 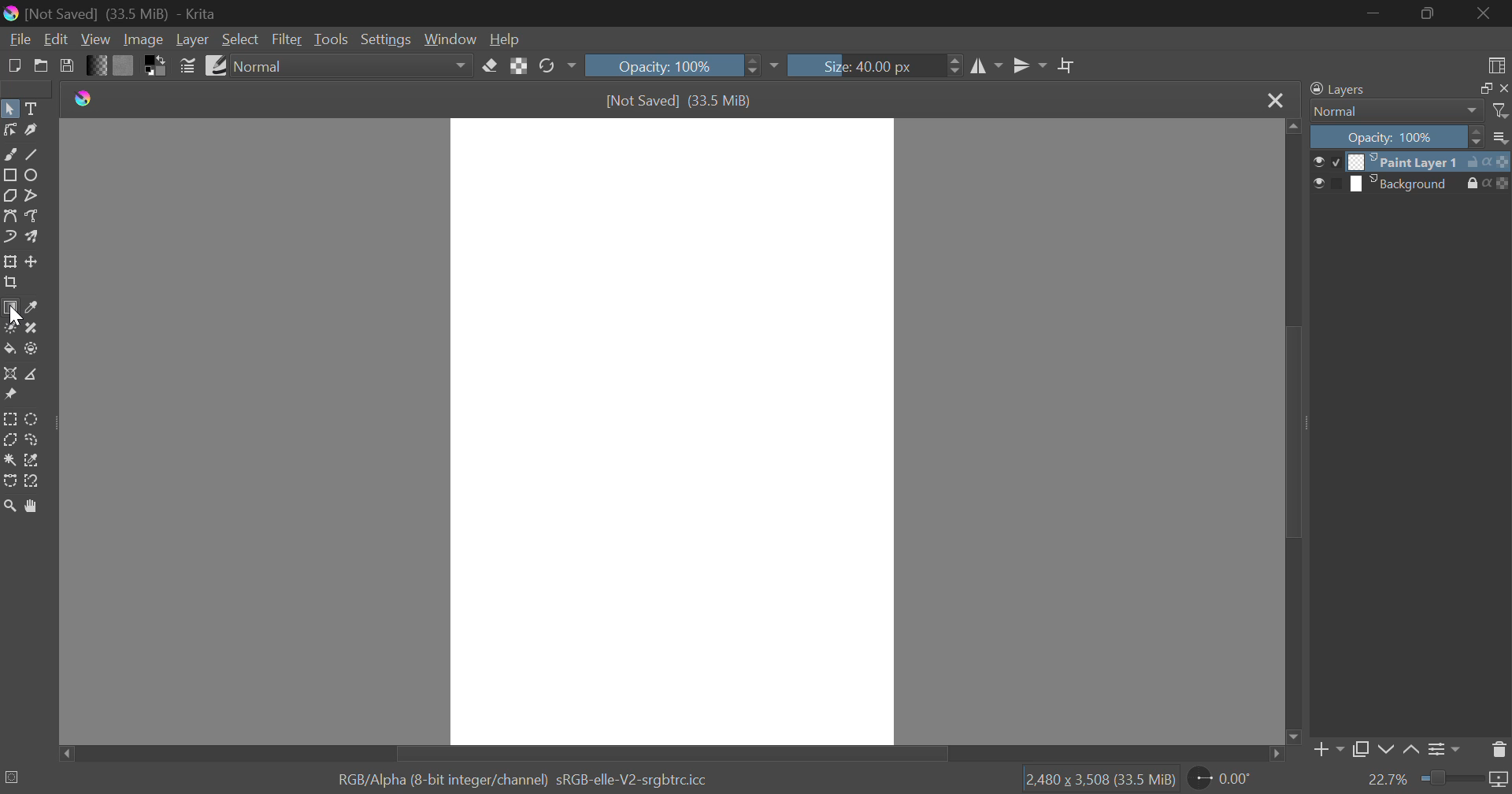 What do you see at coordinates (1503, 88) in the screenshot?
I see `close` at bounding box center [1503, 88].